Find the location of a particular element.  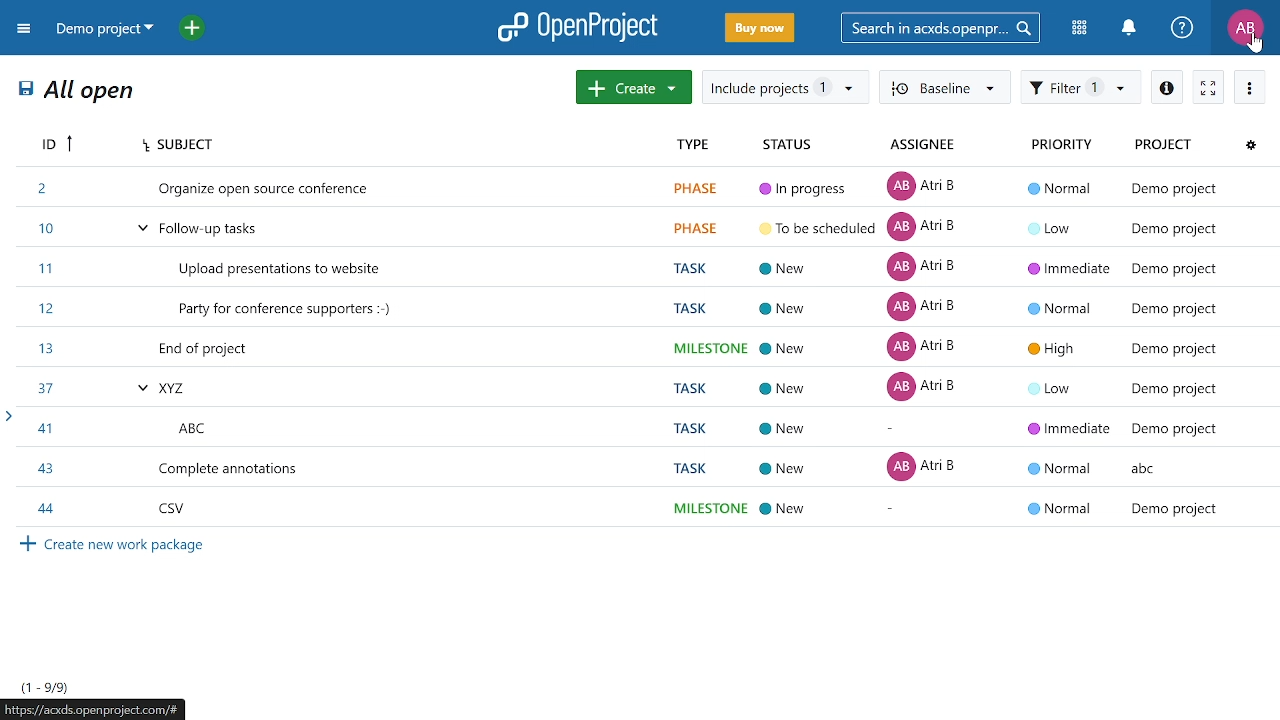

current account "AB" is located at coordinates (1245, 29).